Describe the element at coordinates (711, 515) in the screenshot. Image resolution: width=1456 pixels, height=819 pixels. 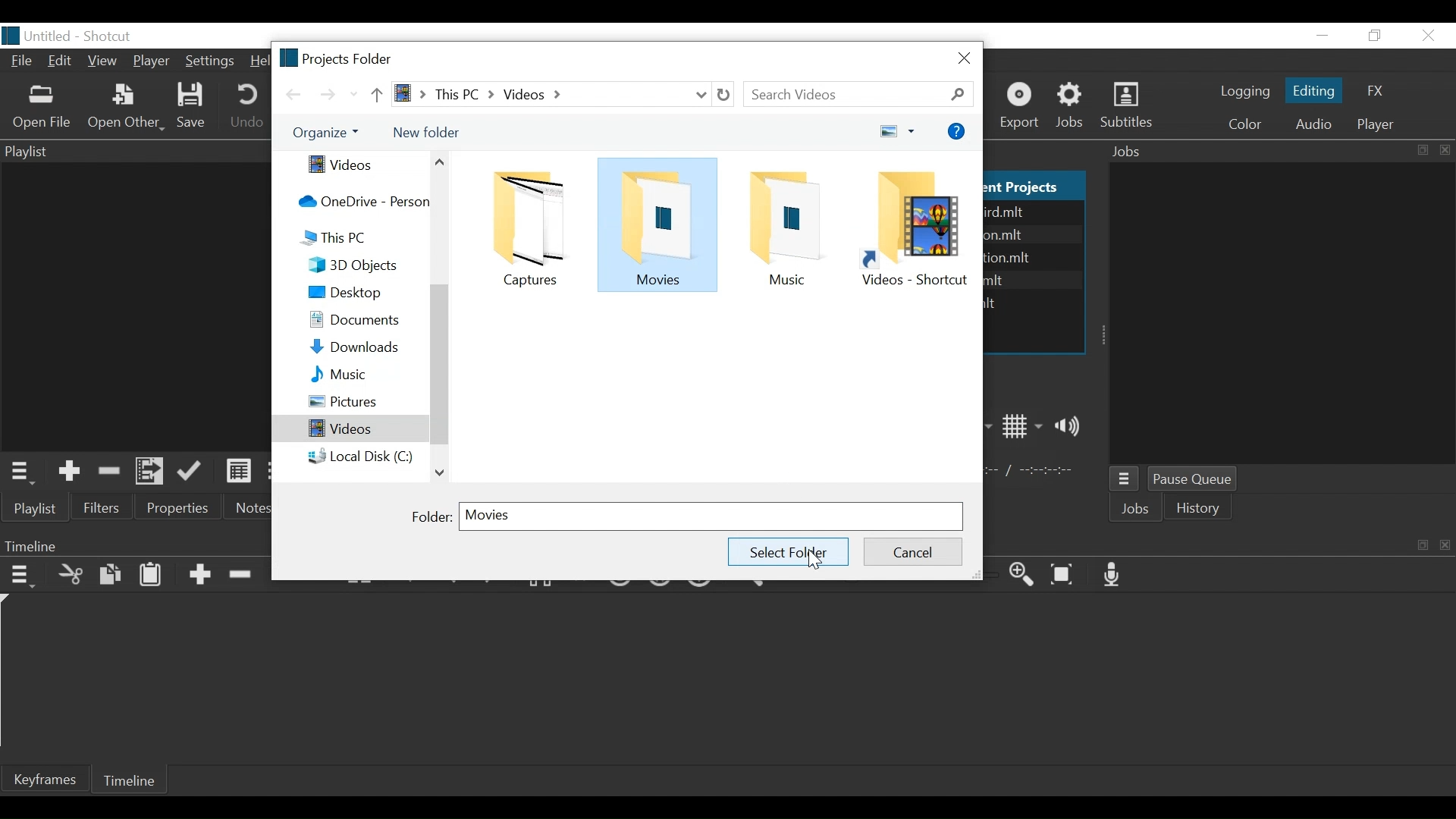
I see `Folder Field name` at that location.